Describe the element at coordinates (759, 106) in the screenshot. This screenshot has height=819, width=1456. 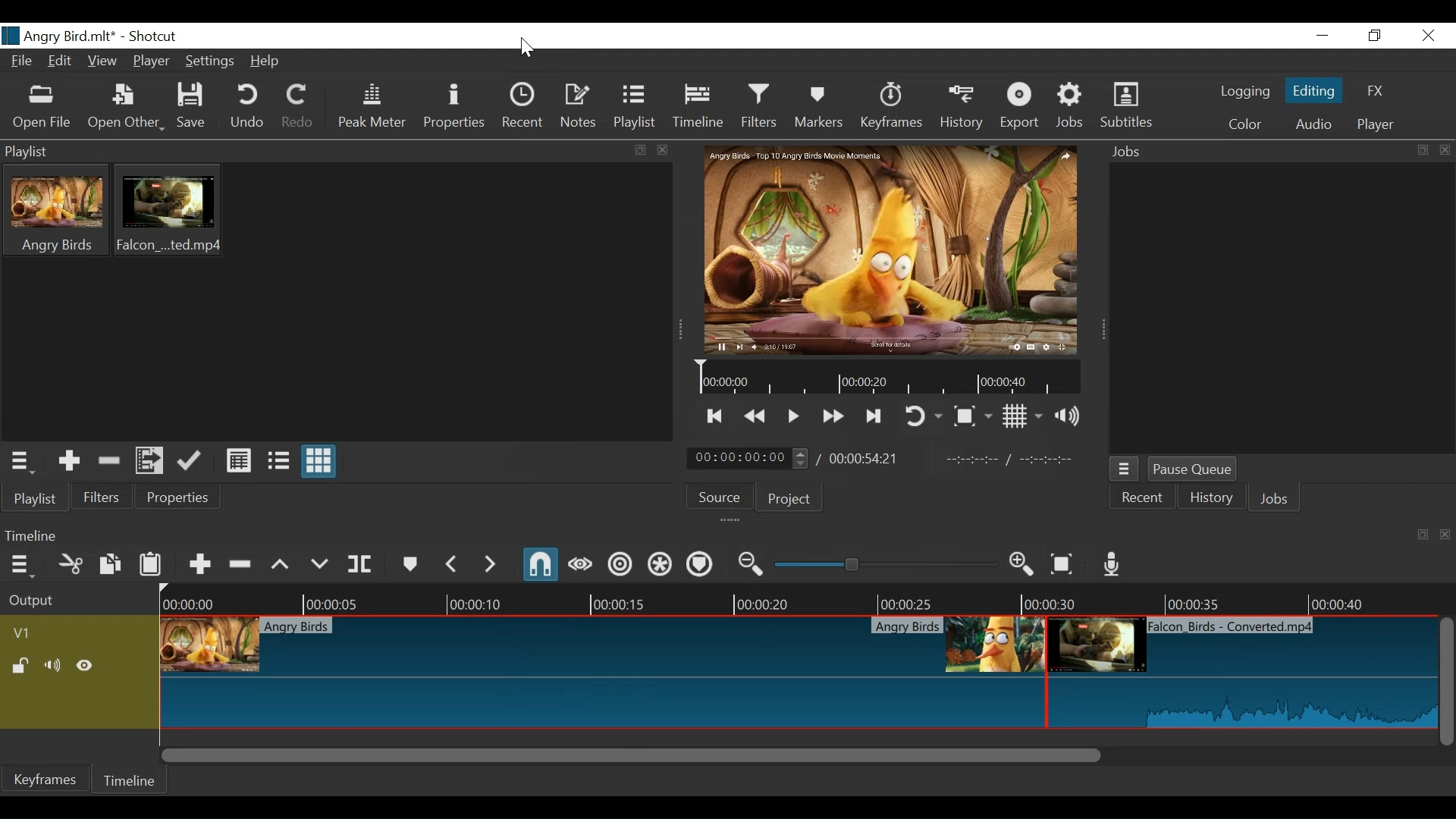
I see `Filters` at that location.